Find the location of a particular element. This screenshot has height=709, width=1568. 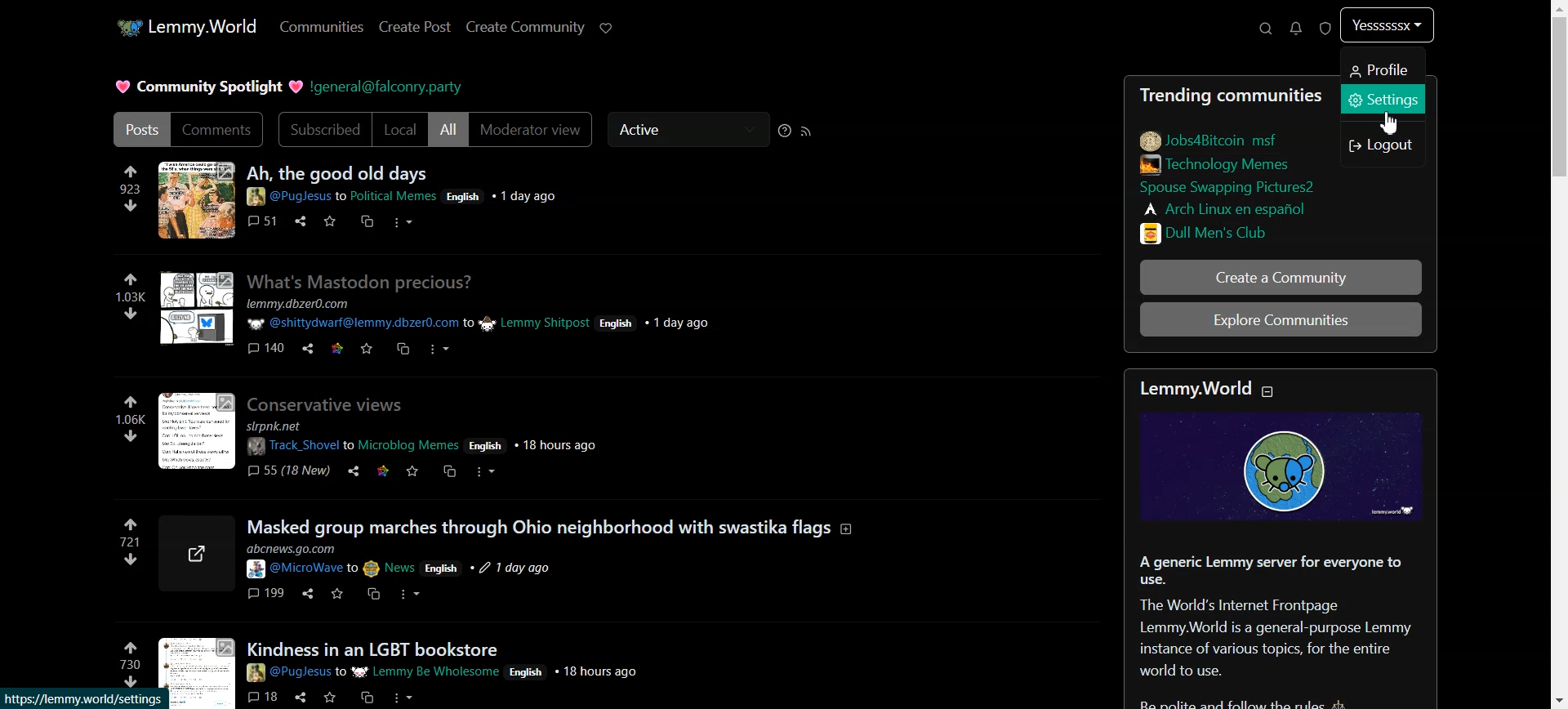

Text is located at coordinates (1232, 96).